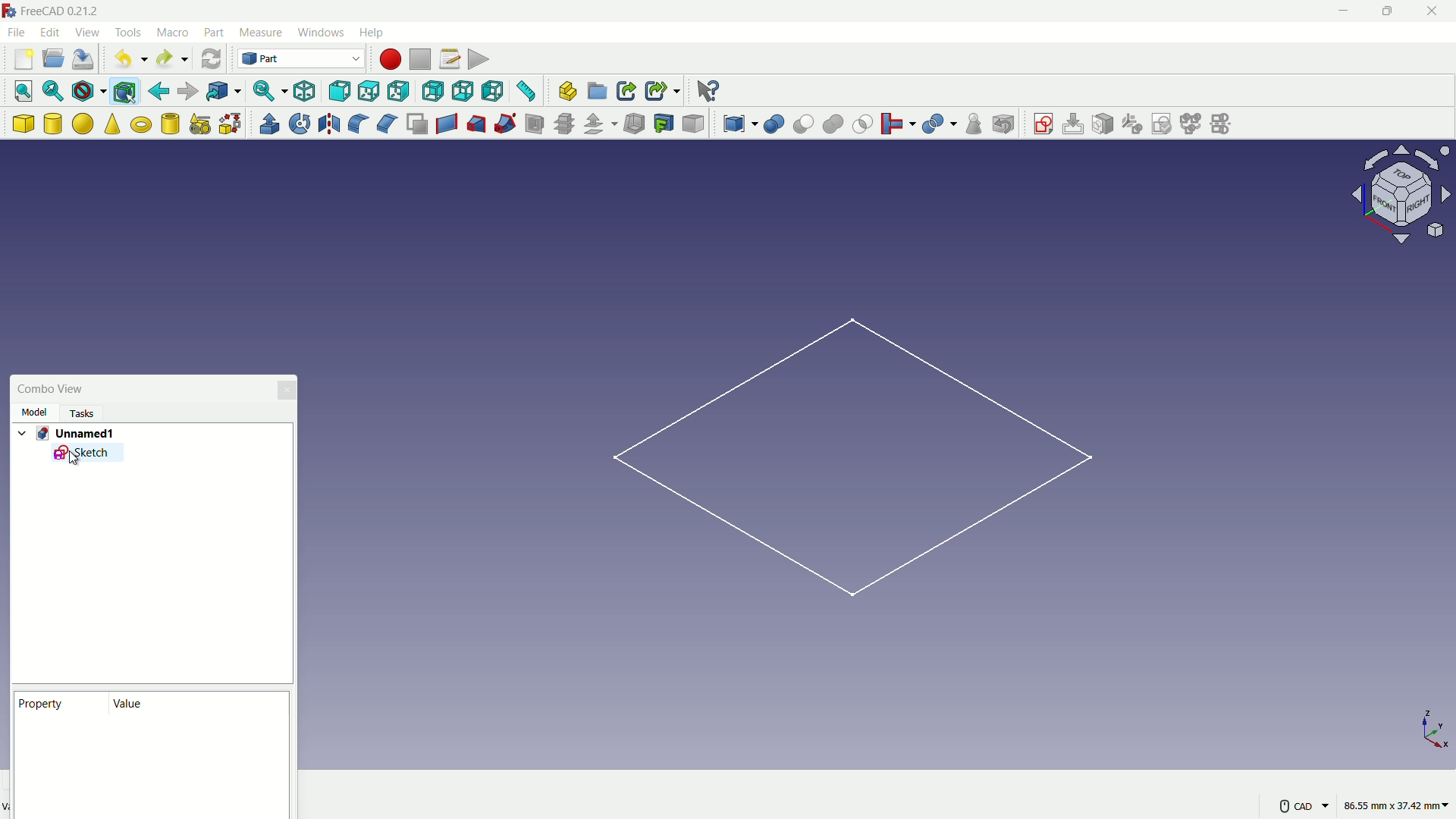 This screenshot has height=819, width=1456. I want to click on check geometry, so click(976, 124).